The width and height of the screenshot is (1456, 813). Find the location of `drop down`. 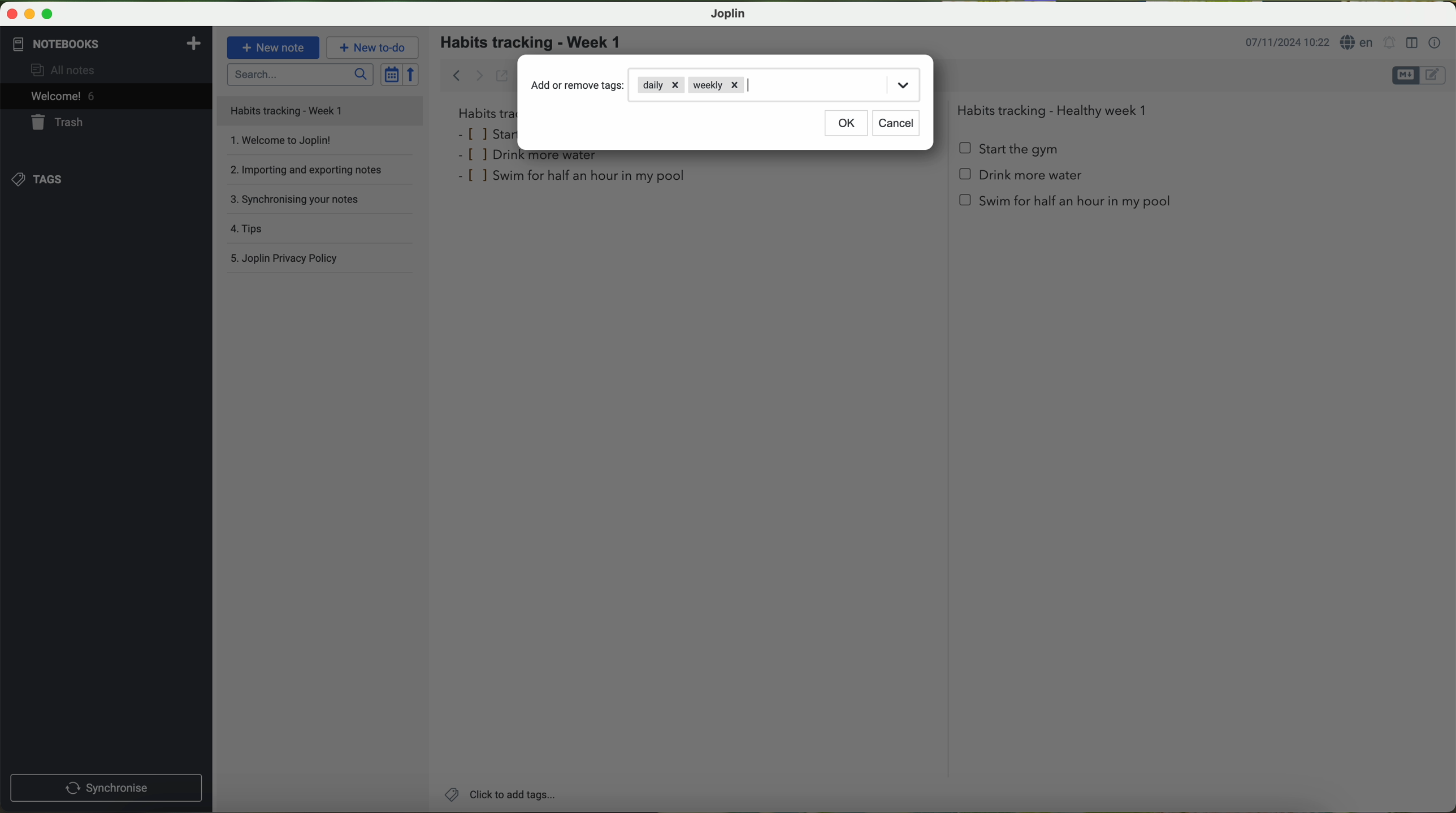

drop down is located at coordinates (903, 84).